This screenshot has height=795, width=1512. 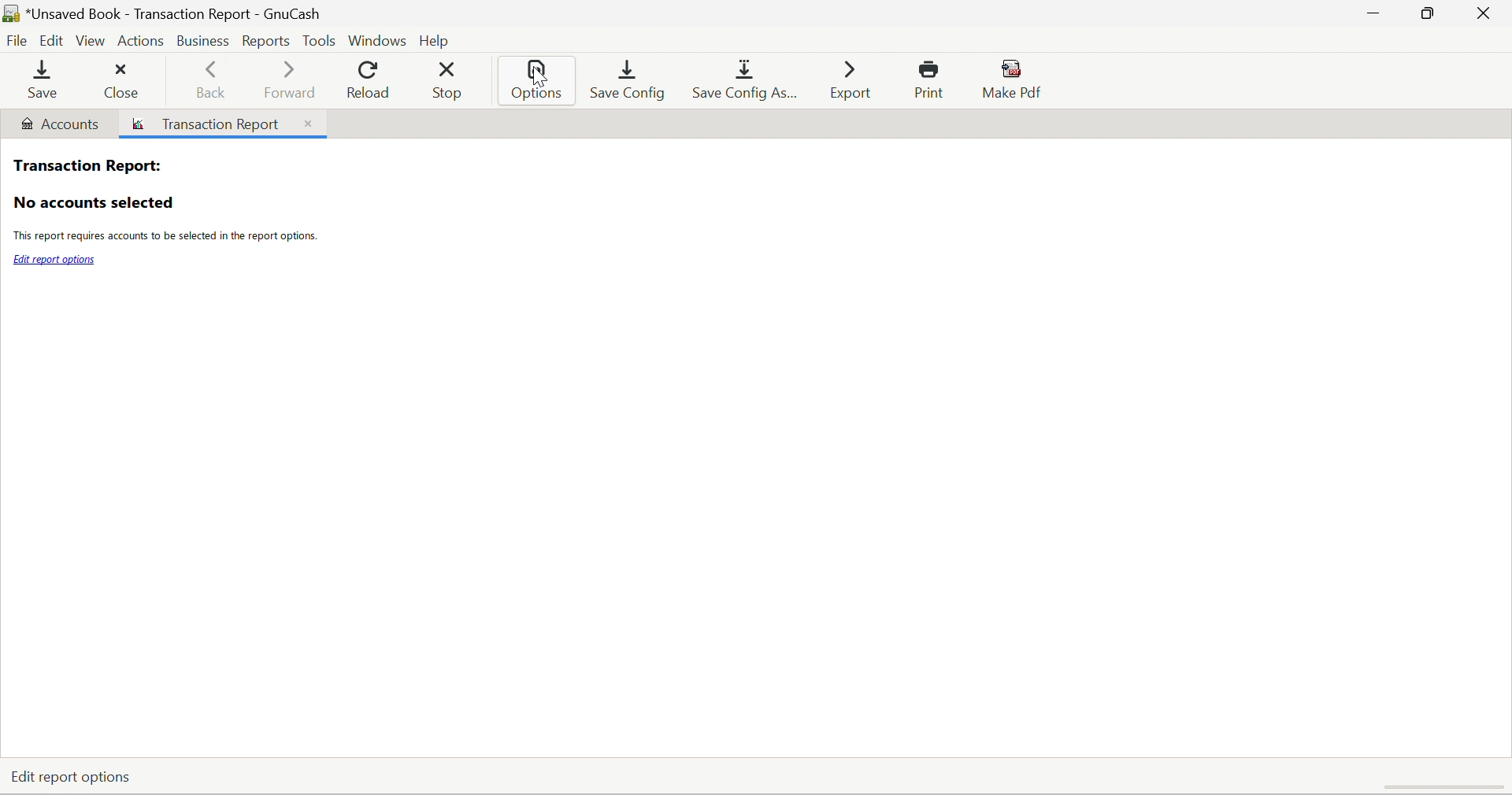 What do you see at coordinates (164, 238) in the screenshot?
I see `The report requires accounts to be selected in the report options` at bounding box center [164, 238].